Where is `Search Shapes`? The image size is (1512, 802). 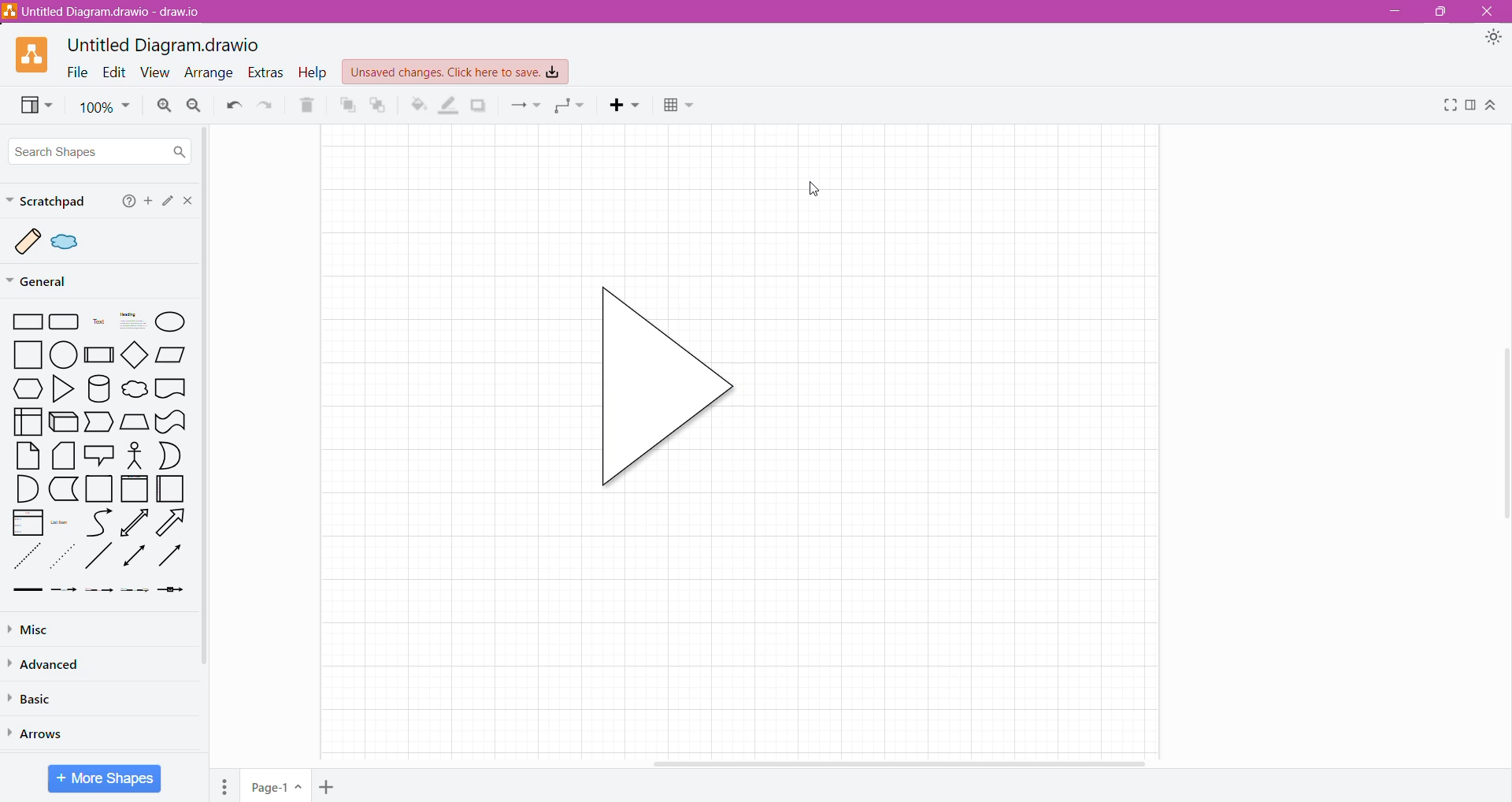 Search Shapes is located at coordinates (98, 151).